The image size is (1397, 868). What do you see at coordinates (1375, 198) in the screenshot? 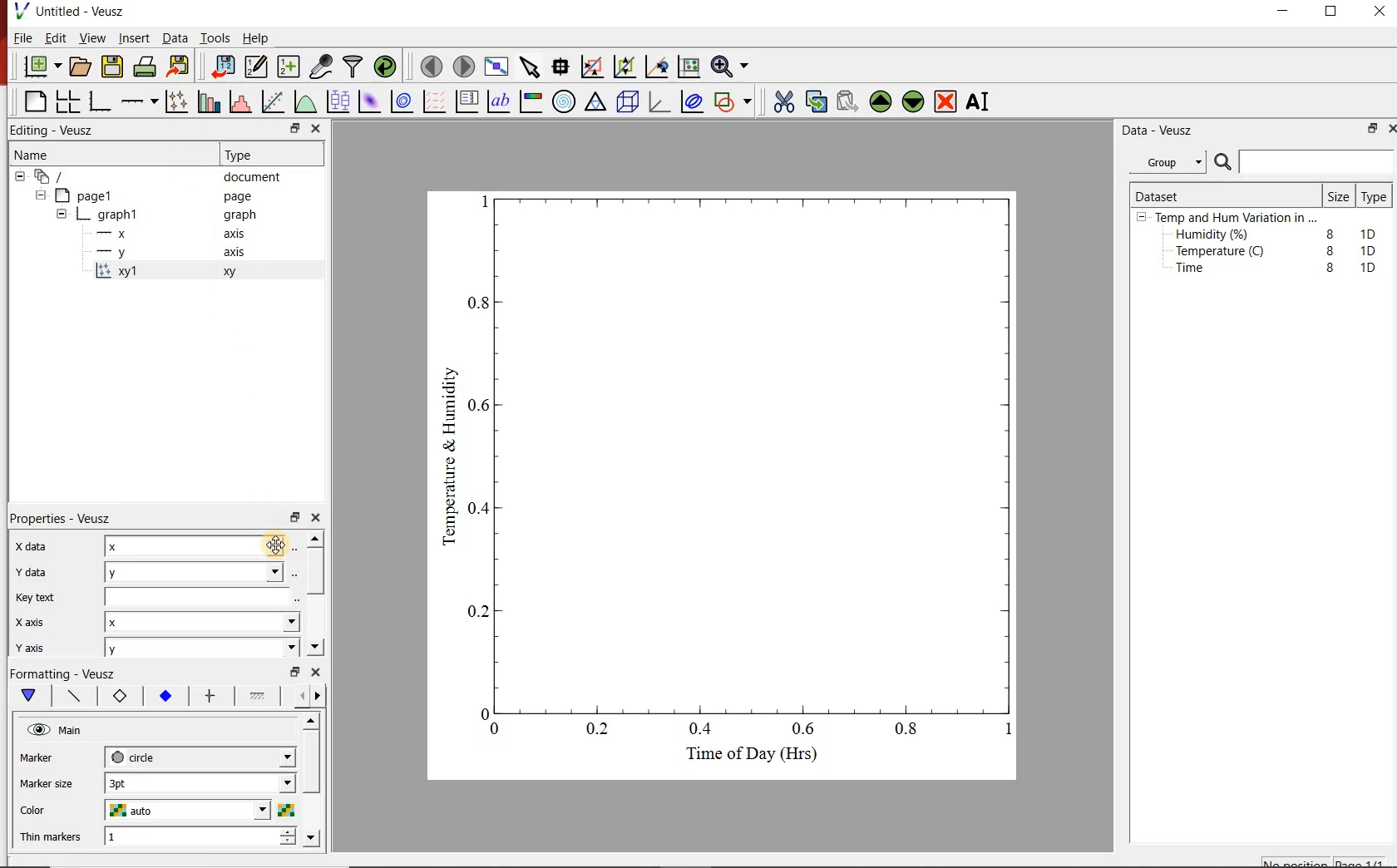
I see `Type` at bounding box center [1375, 198].